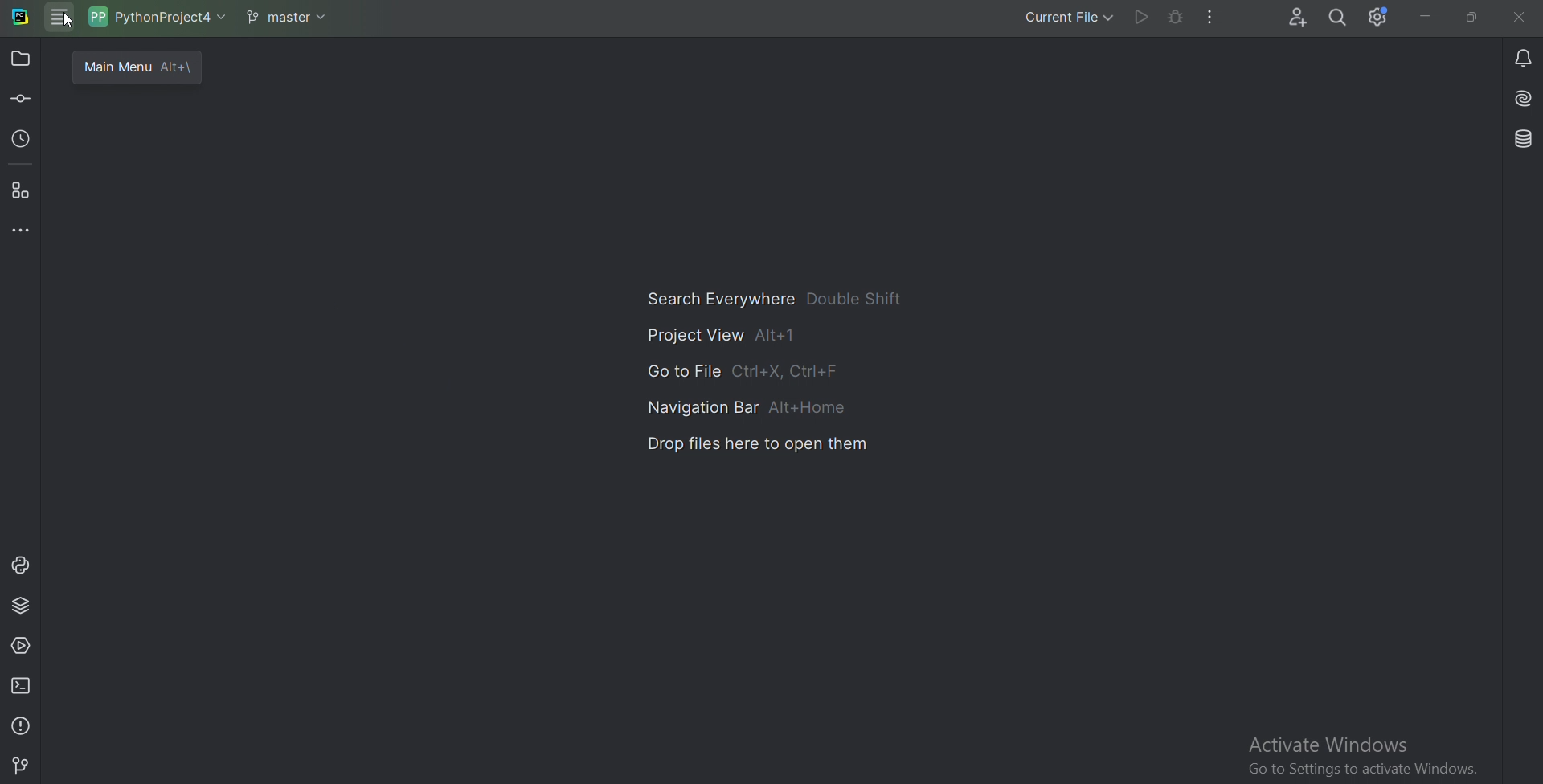 This screenshot has height=784, width=1543. I want to click on Settings, so click(1378, 18).